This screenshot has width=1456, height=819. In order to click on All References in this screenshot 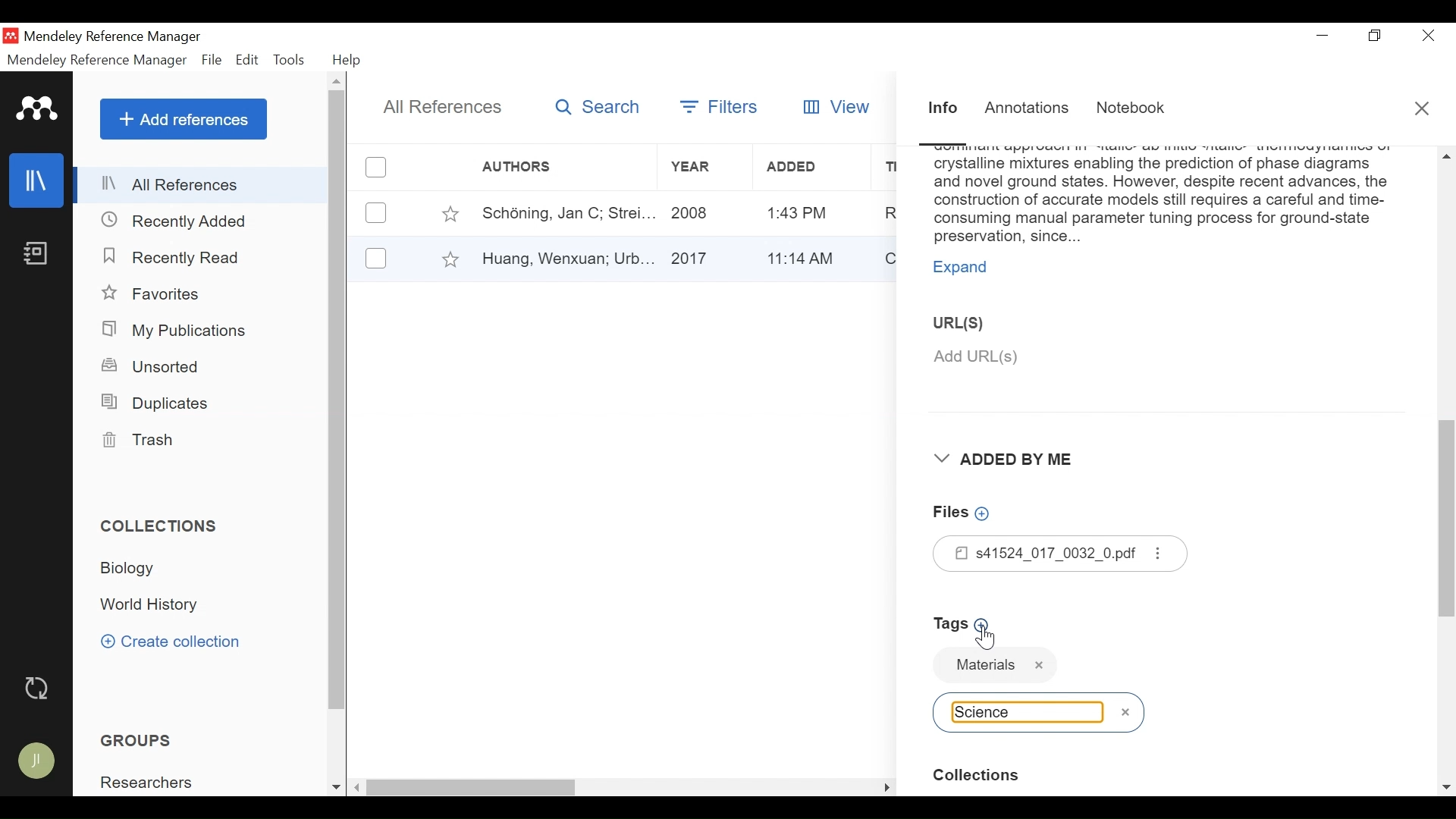, I will do `click(202, 184)`.